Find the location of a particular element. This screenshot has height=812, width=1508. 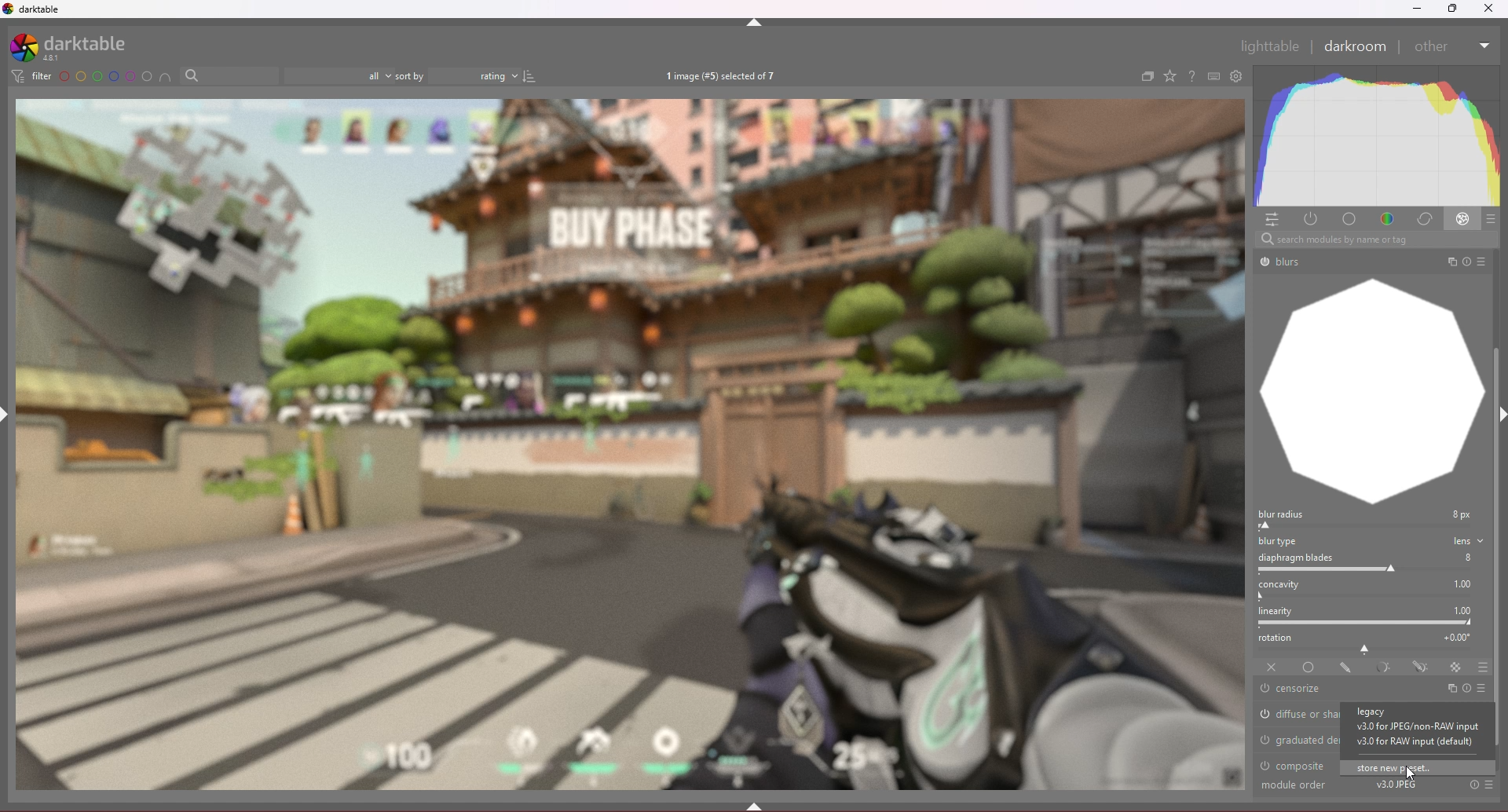

 is located at coordinates (1395, 785).